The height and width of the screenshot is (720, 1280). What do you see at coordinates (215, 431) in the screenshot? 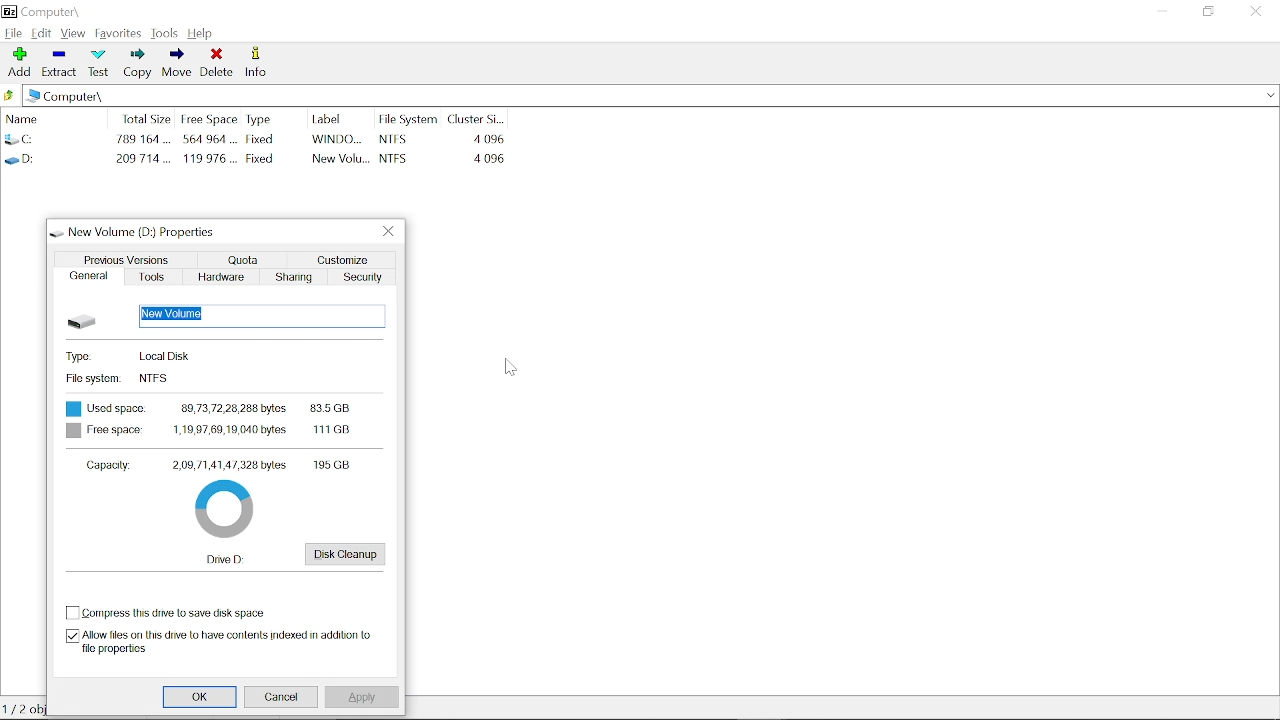
I see `Free space  1,19,97,69,19,040bytes  111GB` at bounding box center [215, 431].